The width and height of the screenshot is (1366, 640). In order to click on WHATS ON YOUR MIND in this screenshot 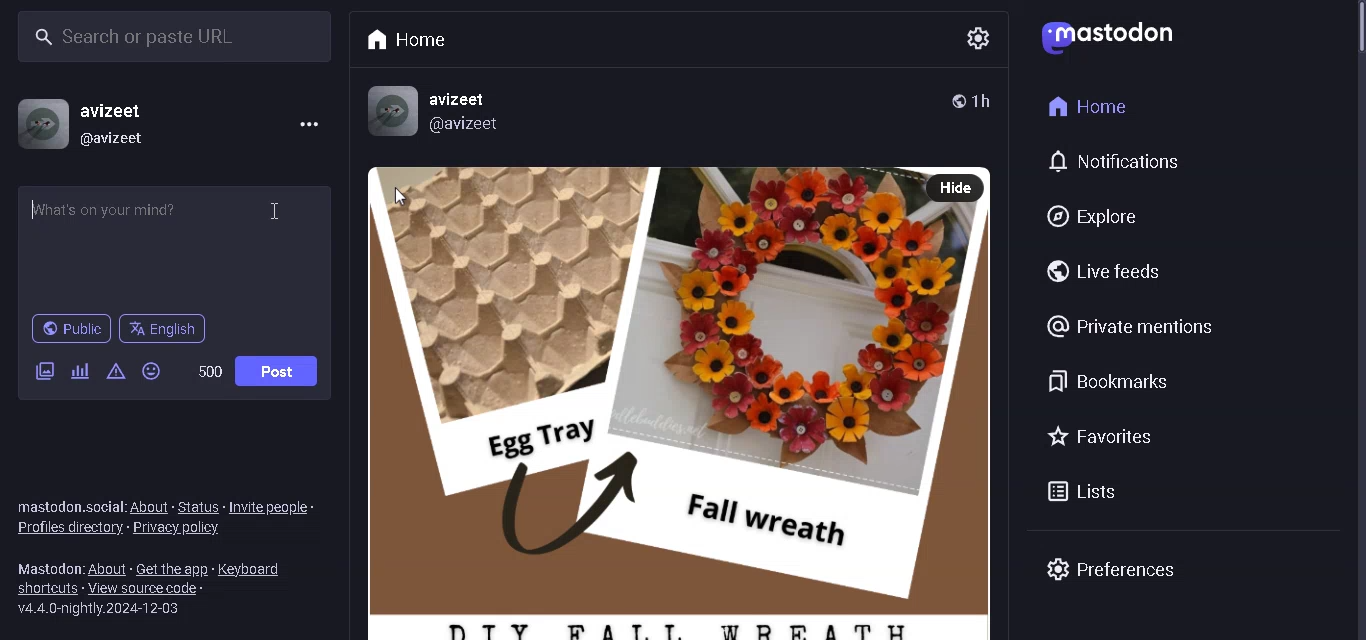, I will do `click(170, 244)`.